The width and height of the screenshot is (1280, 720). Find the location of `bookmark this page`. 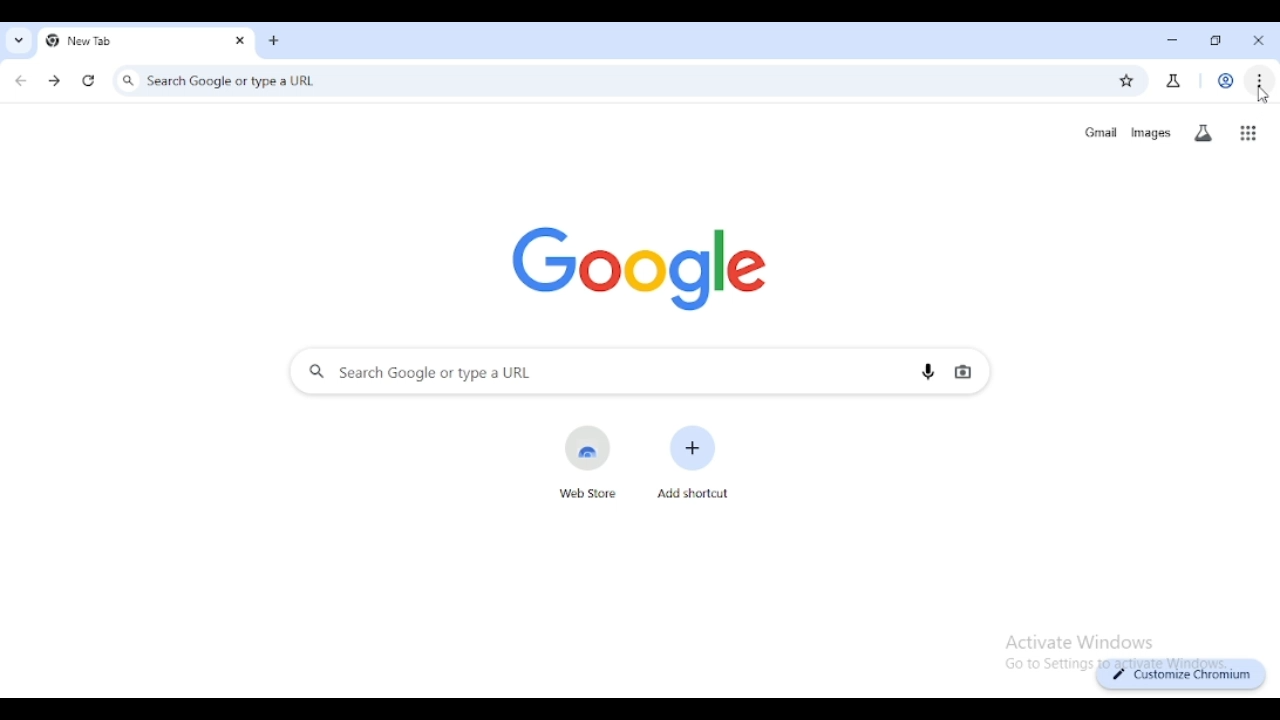

bookmark this page is located at coordinates (1126, 81).